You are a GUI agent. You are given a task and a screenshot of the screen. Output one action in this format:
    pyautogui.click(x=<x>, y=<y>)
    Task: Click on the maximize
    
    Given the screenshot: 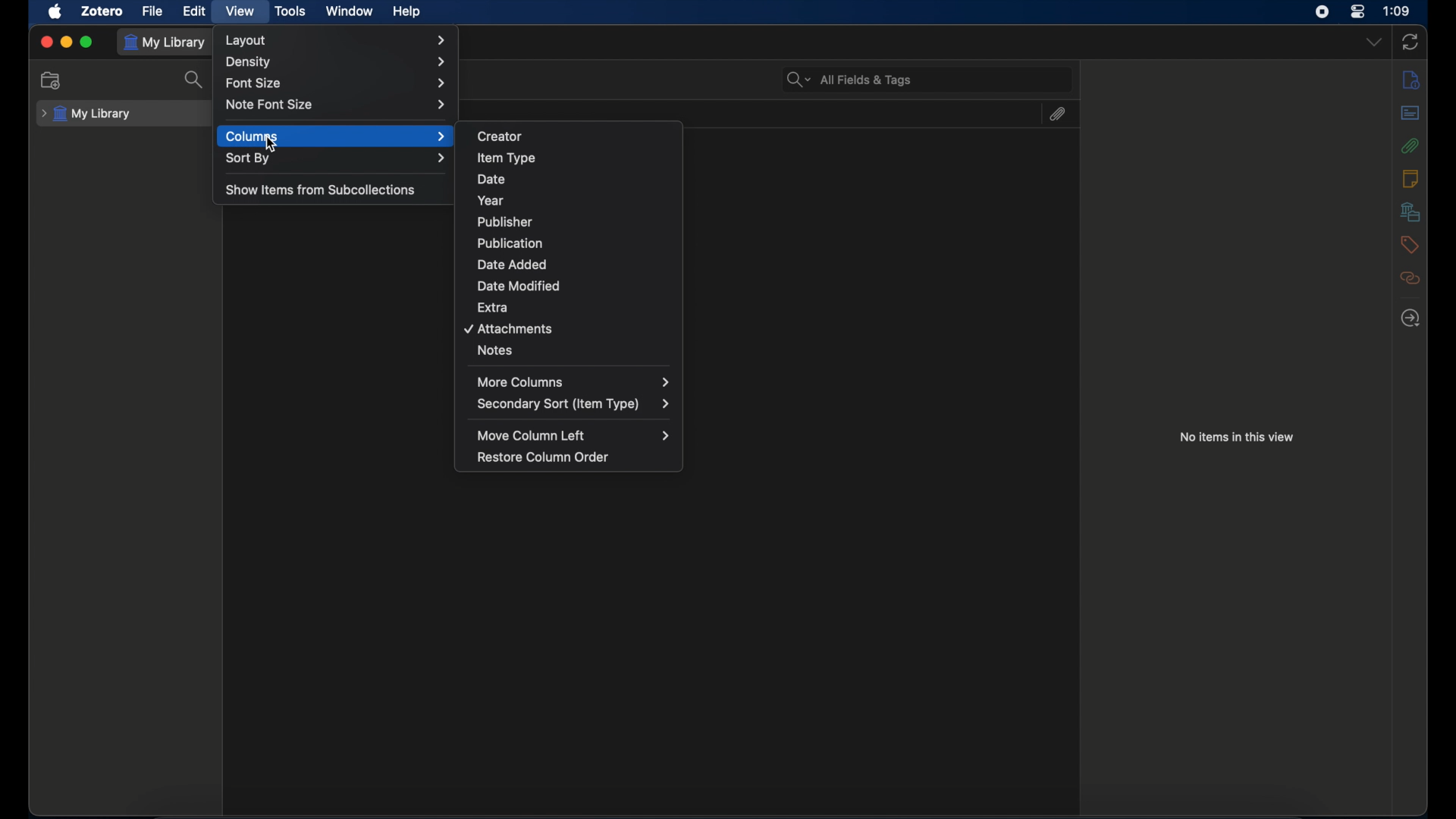 What is the action you would take?
    pyautogui.click(x=87, y=42)
    